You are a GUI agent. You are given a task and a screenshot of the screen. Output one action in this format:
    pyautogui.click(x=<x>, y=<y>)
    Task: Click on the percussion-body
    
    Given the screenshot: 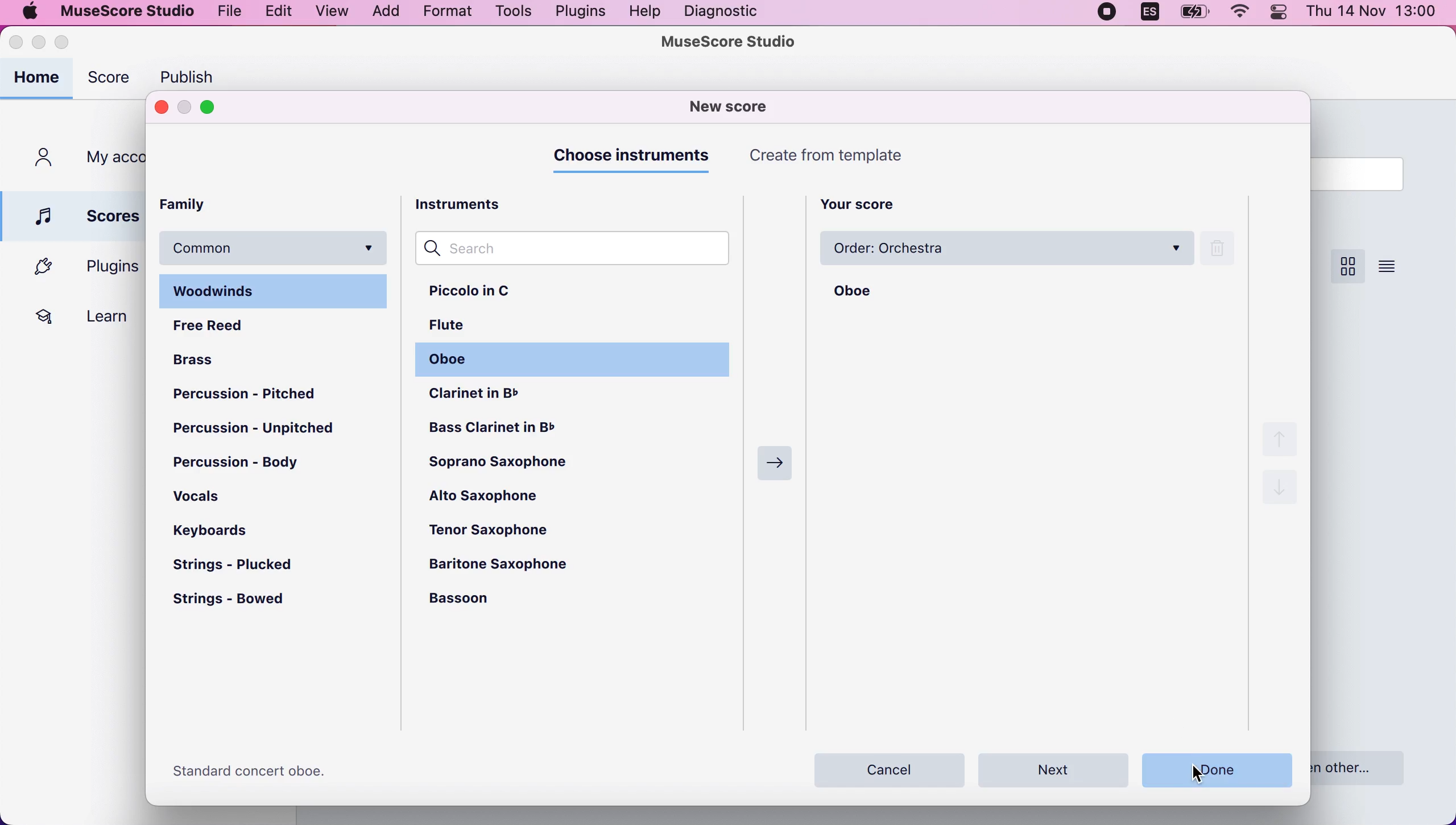 What is the action you would take?
    pyautogui.click(x=255, y=464)
    